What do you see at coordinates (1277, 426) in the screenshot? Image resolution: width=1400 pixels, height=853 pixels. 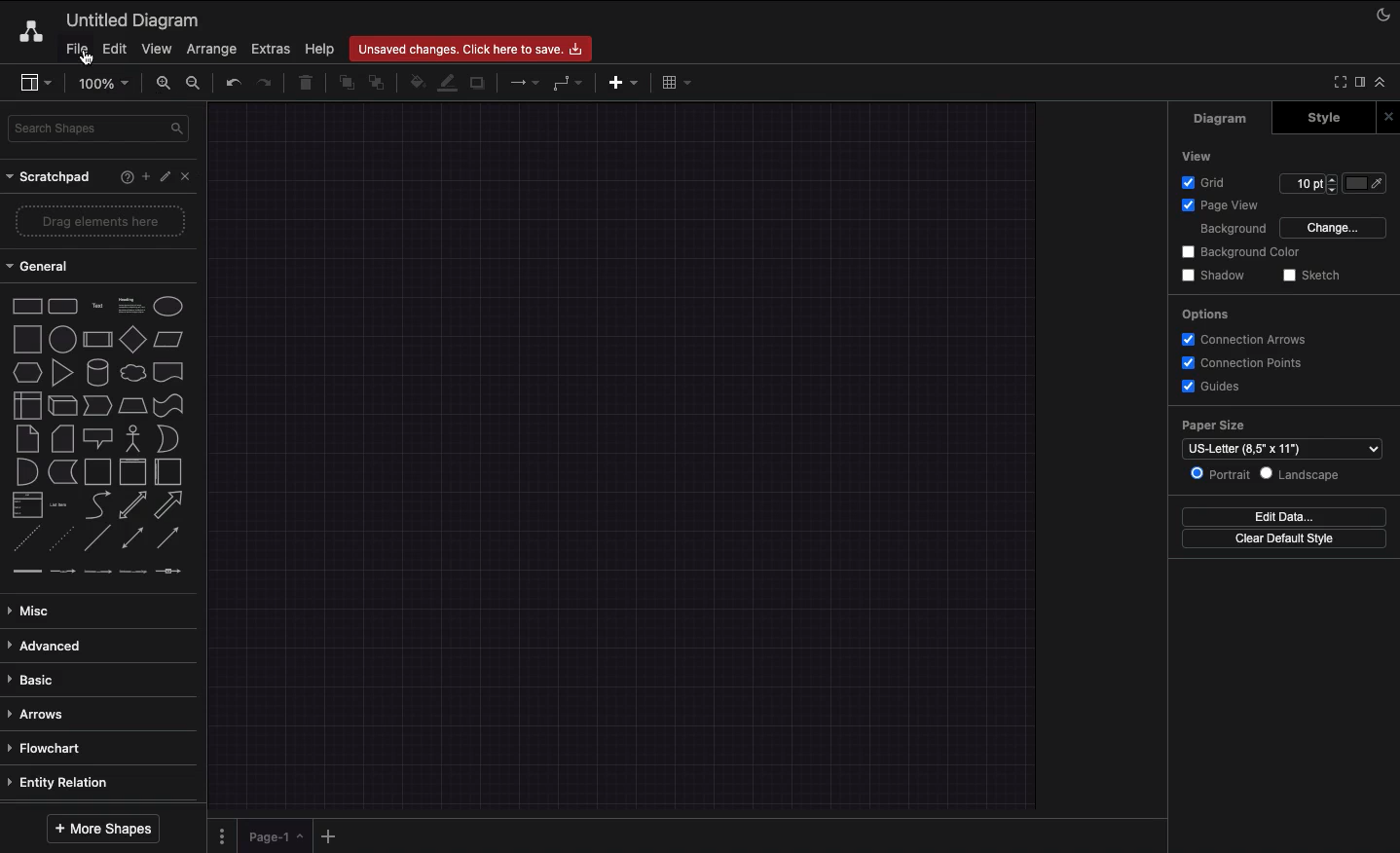 I see `Paper size` at bounding box center [1277, 426].